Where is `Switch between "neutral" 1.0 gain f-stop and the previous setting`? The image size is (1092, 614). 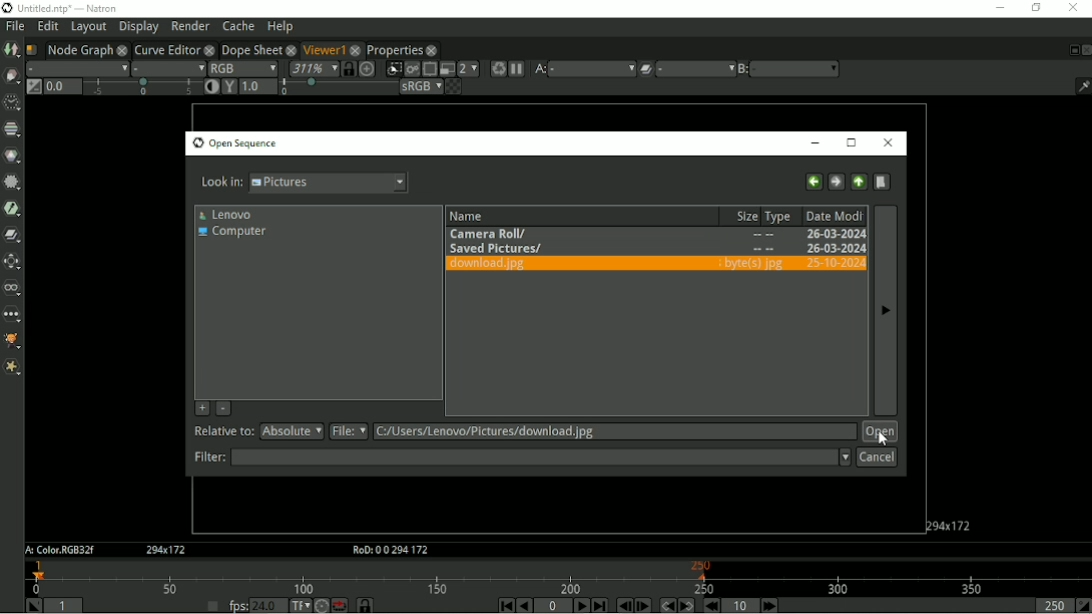
Switch between "neutral" 1.0 gain f-stop and the previous setting is located at coordinates (33, 87).